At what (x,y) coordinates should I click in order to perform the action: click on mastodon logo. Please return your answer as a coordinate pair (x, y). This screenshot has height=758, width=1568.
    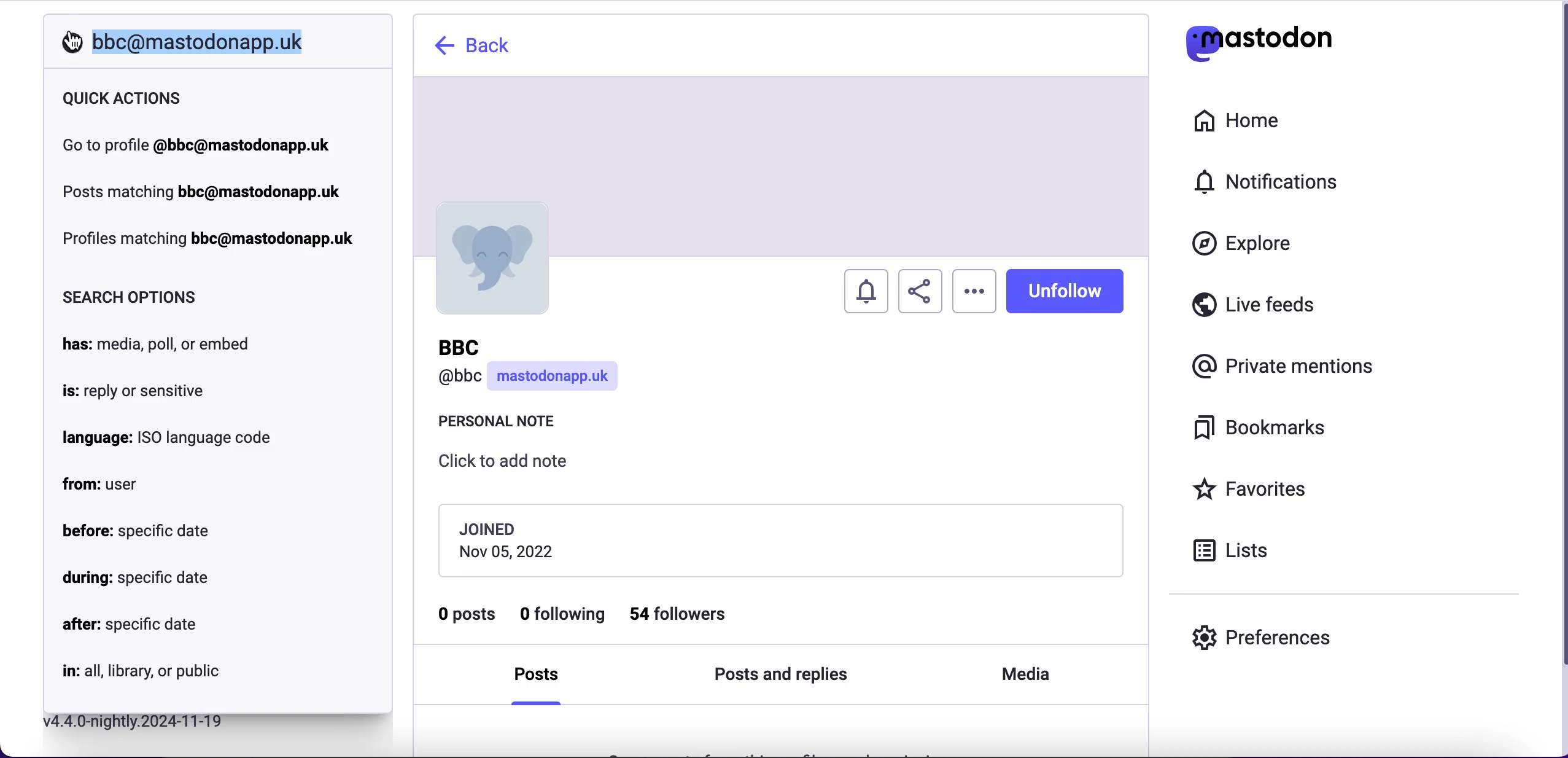
    Looking at the image, I should click on (1259, 40).